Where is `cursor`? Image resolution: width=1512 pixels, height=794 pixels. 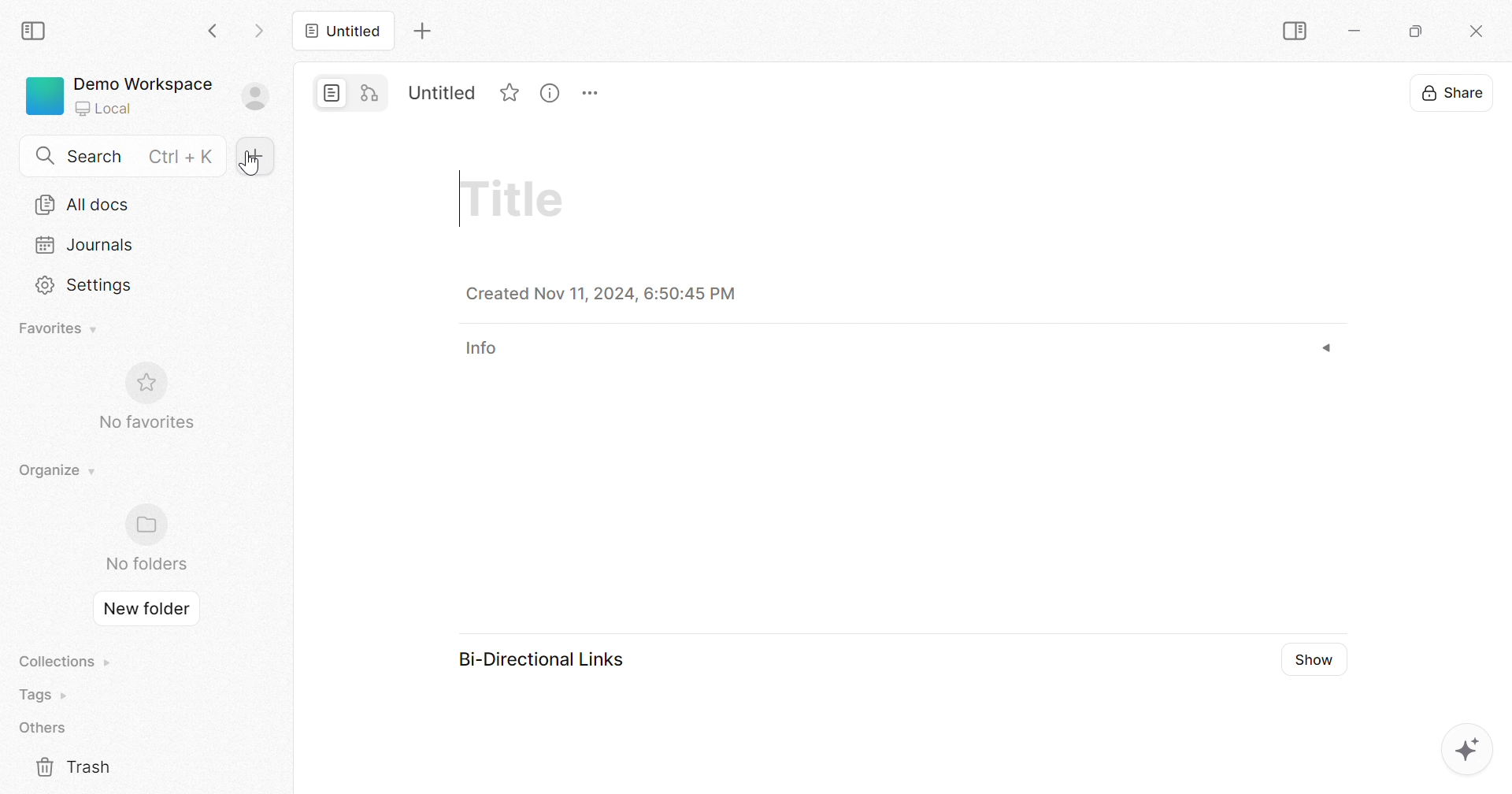 cursor is located at coordinates (252, 165).